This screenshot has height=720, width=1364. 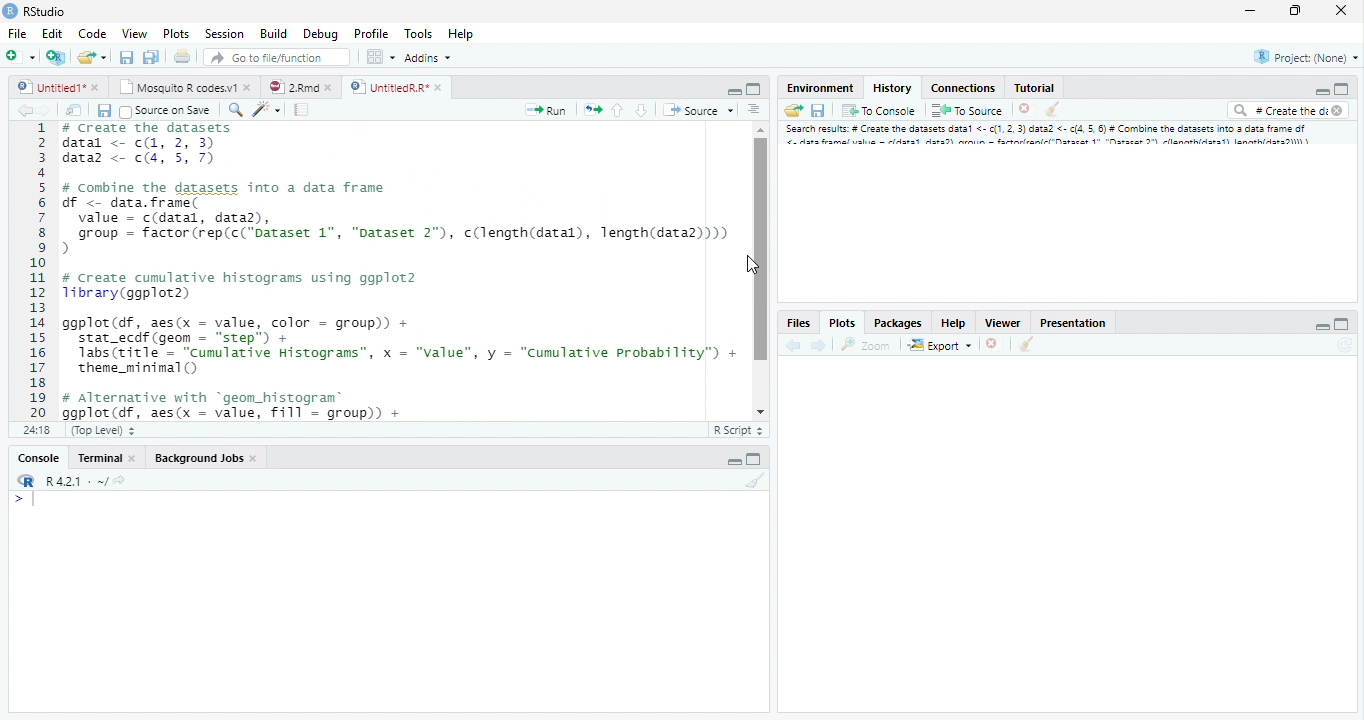 What do you see at coordinates (151, 57) in the screenshot?
I see `Save all` at bounding box center [151, 57].